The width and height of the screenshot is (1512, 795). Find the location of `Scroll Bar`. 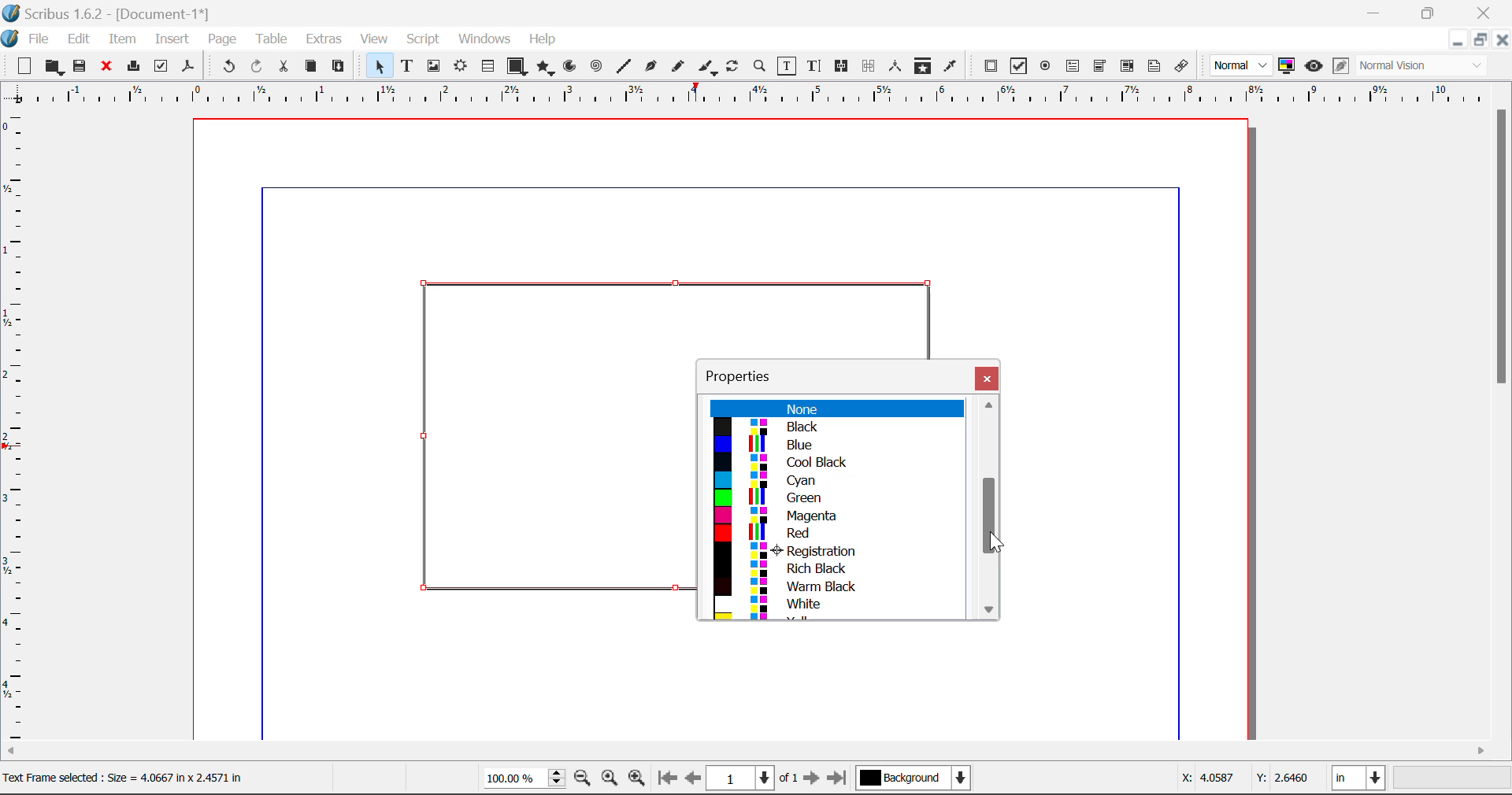

Scroll Bar is located at coordinates (757, 752).